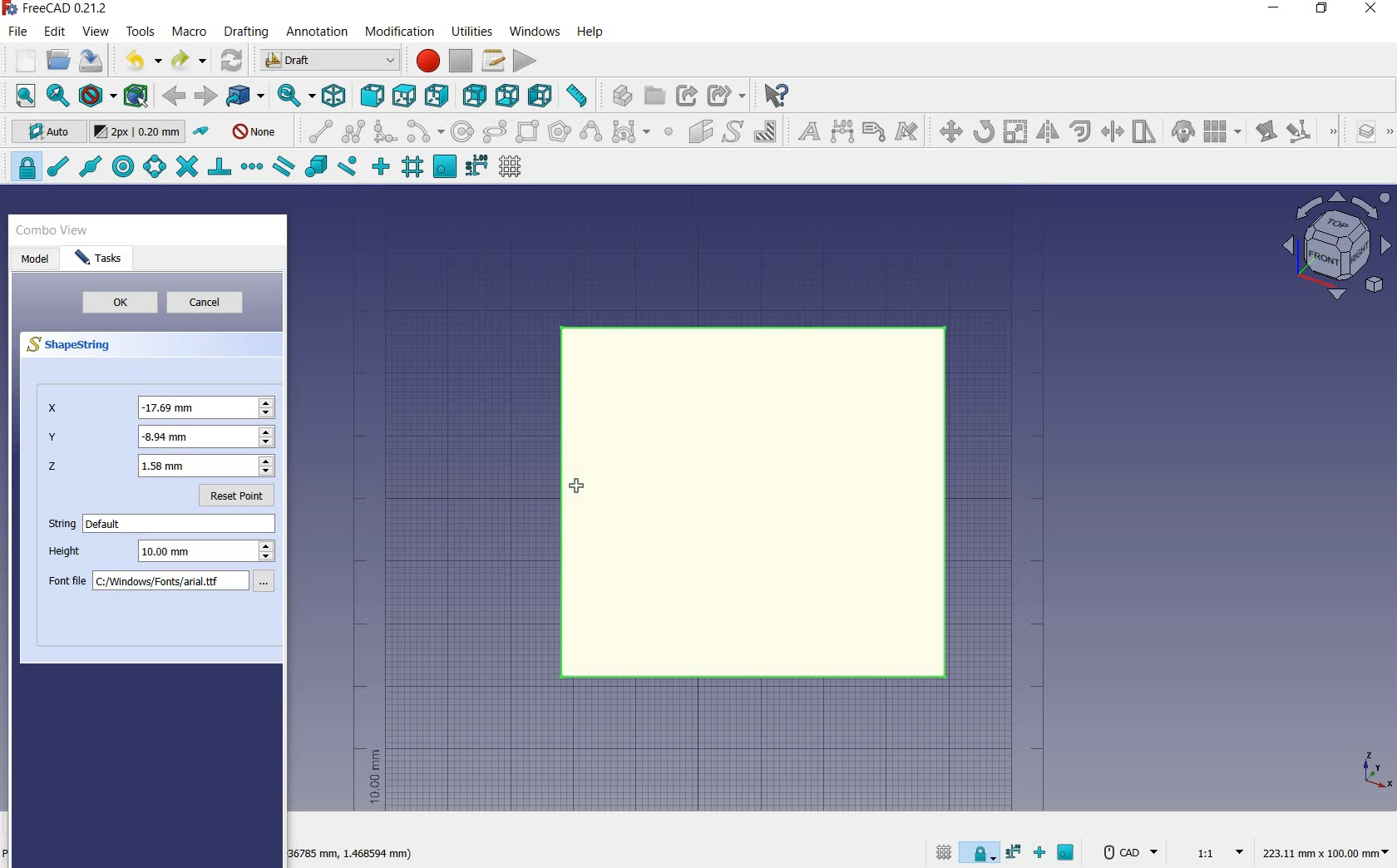 Image resolution: width=1397 pixels, height=868 pixels. What do you see at coordinates (140, 134) in the screenshot?
I see `change default style for new objects` at bounding box center [140, 134].